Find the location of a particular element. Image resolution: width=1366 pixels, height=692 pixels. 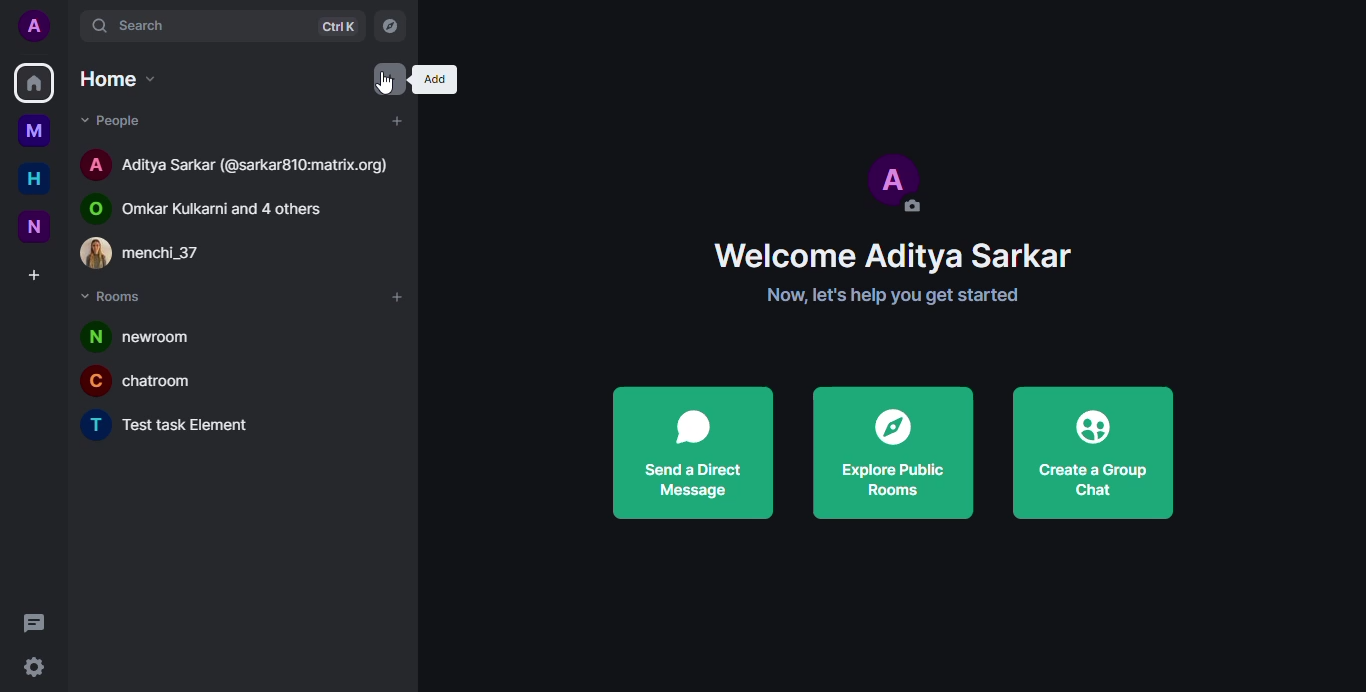

create space is located at coordinates (35, 277).